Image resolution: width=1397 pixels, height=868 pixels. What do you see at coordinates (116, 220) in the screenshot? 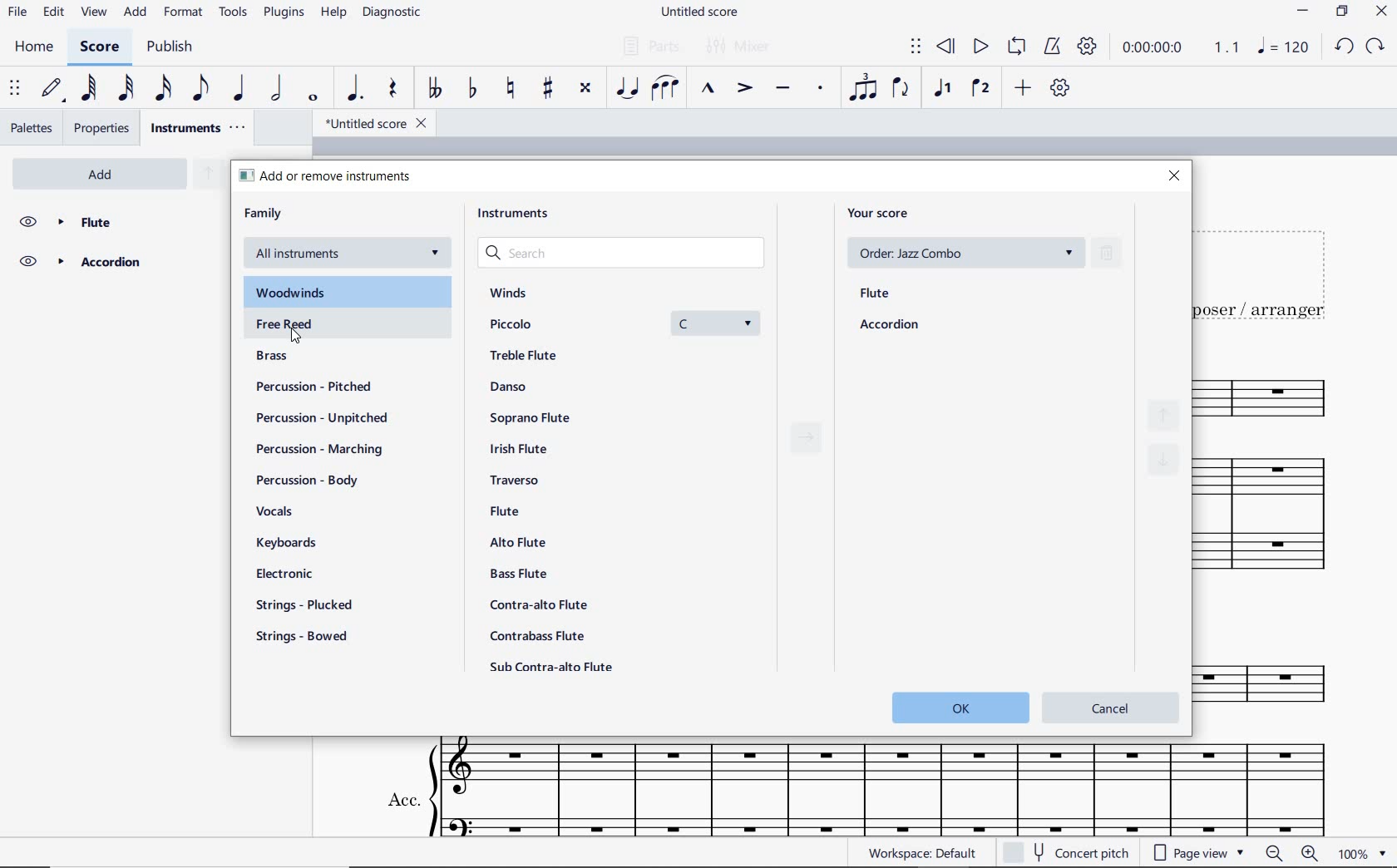
I see `flute` at bounding box center [116, 220].